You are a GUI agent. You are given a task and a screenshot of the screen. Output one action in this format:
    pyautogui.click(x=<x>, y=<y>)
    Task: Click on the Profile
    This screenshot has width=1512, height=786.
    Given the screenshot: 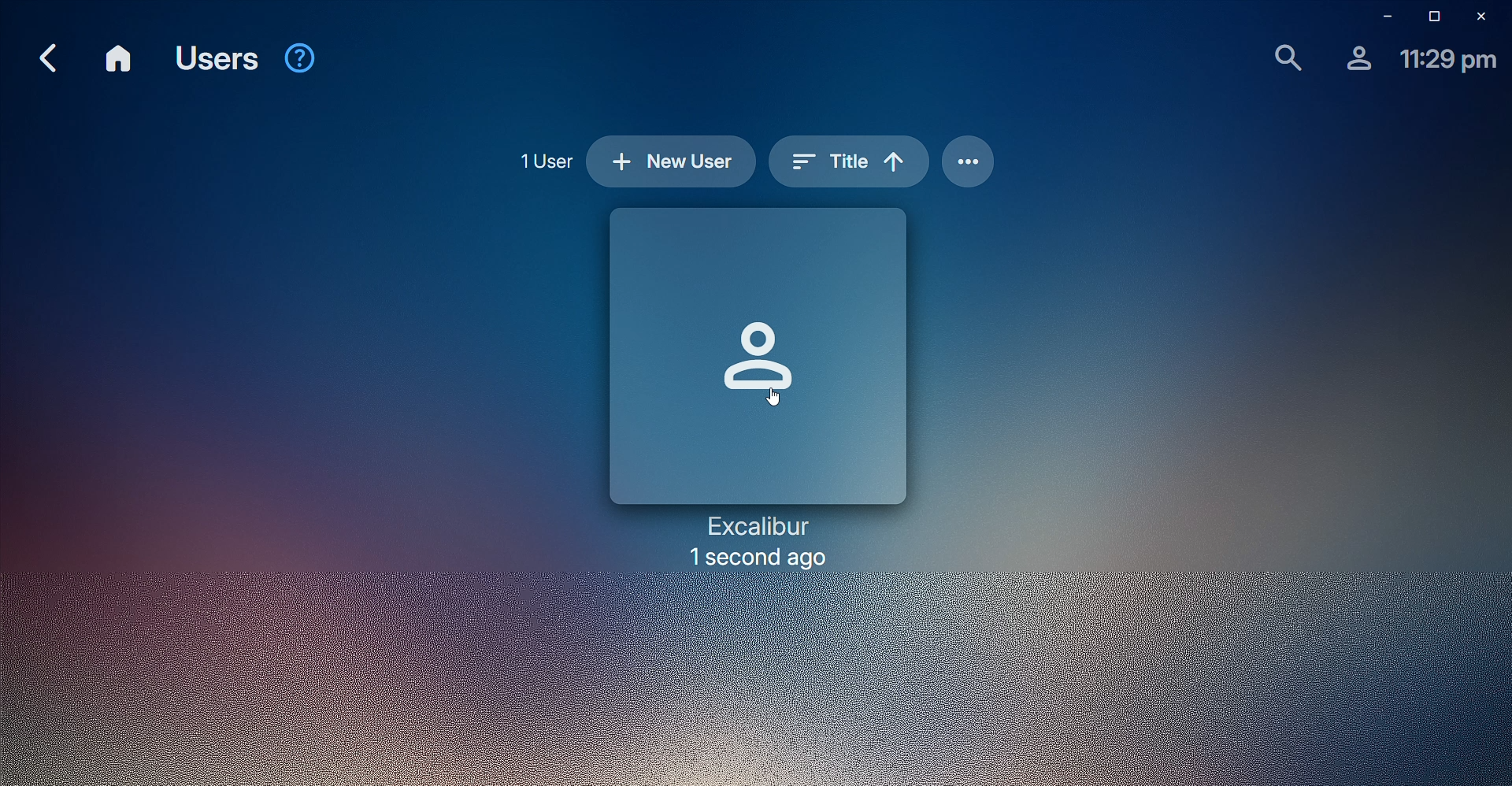 What is the action you would take?
    pyautogui.click(x=1354, y=64)
    